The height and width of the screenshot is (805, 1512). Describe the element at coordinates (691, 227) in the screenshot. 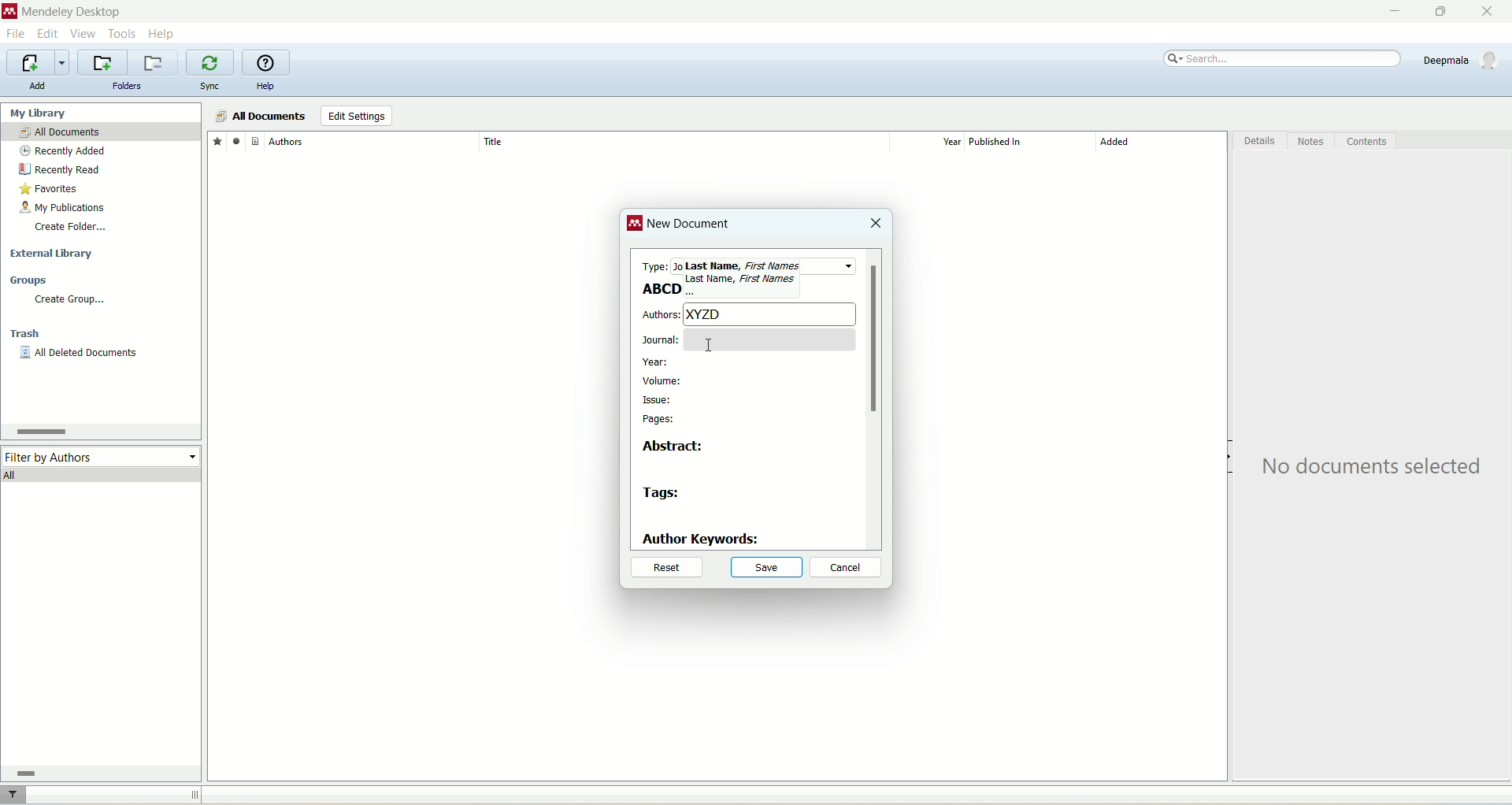

I see `new document` at that location.